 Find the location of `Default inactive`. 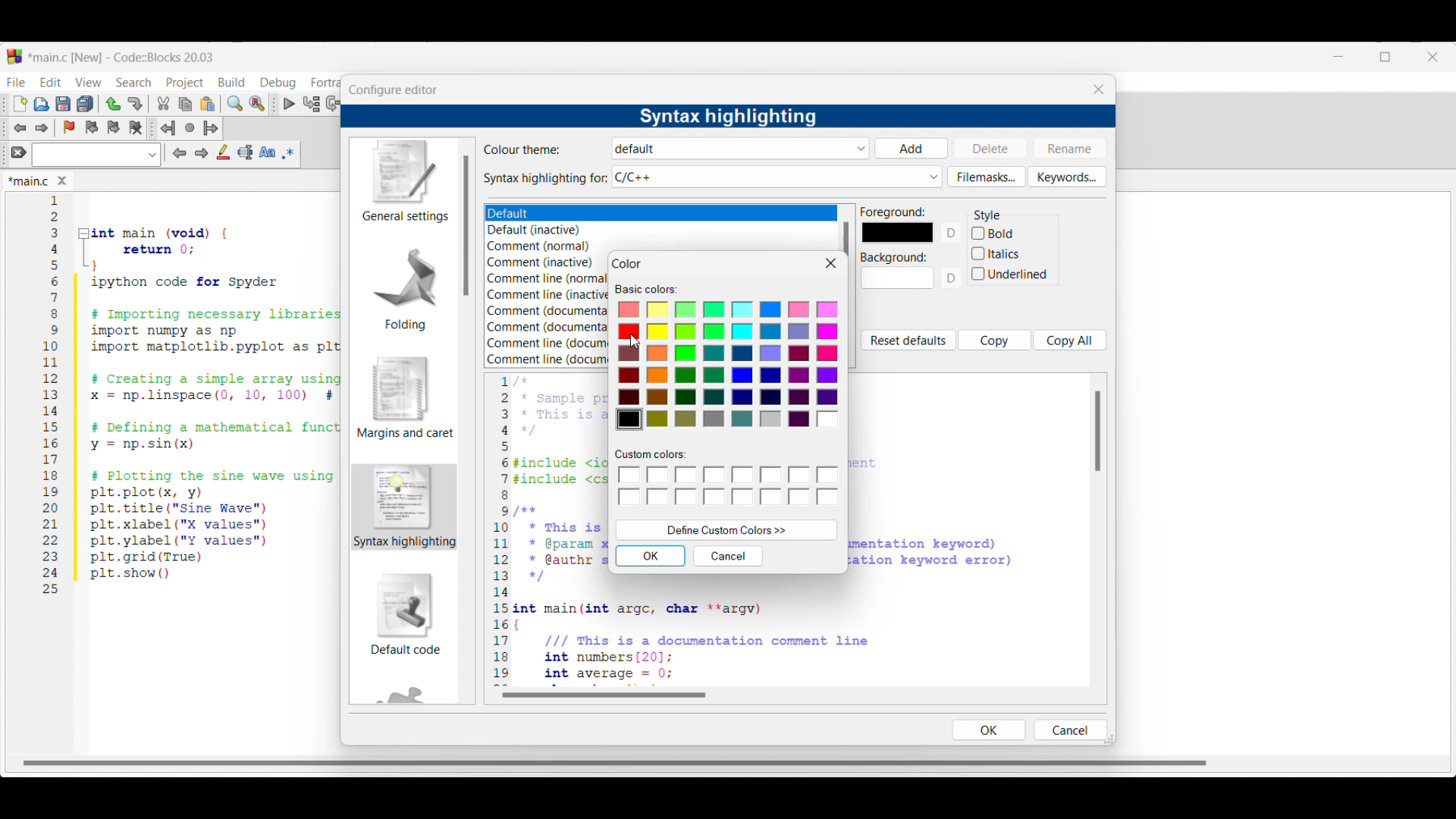

Default inactive is located at coordinates (543, 231).